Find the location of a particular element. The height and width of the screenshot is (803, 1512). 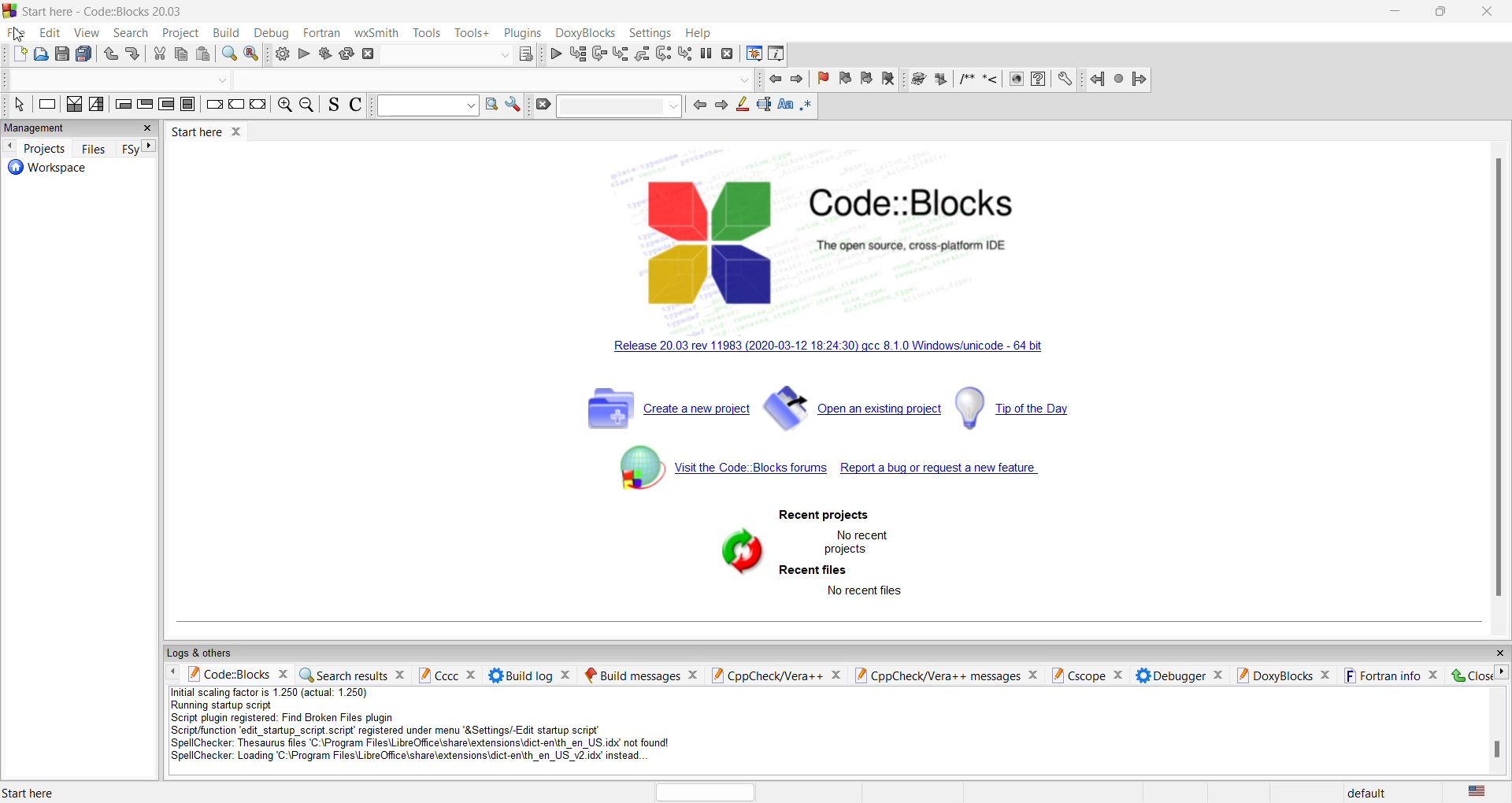

run is located at coordinates (306, 55).